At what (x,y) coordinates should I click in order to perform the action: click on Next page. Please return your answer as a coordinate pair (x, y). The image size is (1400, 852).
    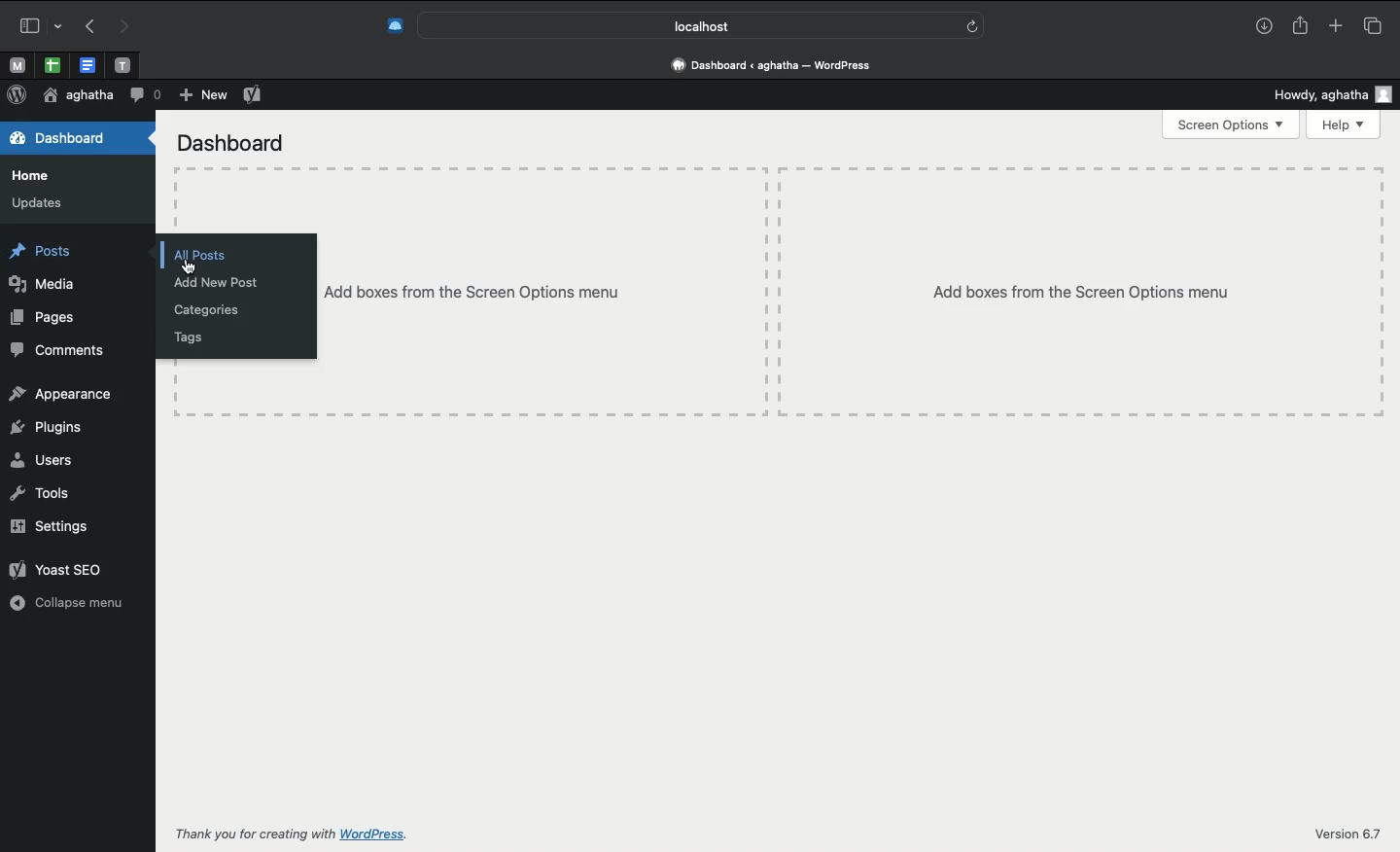
    Looking at the image, I should click on (126, 25).